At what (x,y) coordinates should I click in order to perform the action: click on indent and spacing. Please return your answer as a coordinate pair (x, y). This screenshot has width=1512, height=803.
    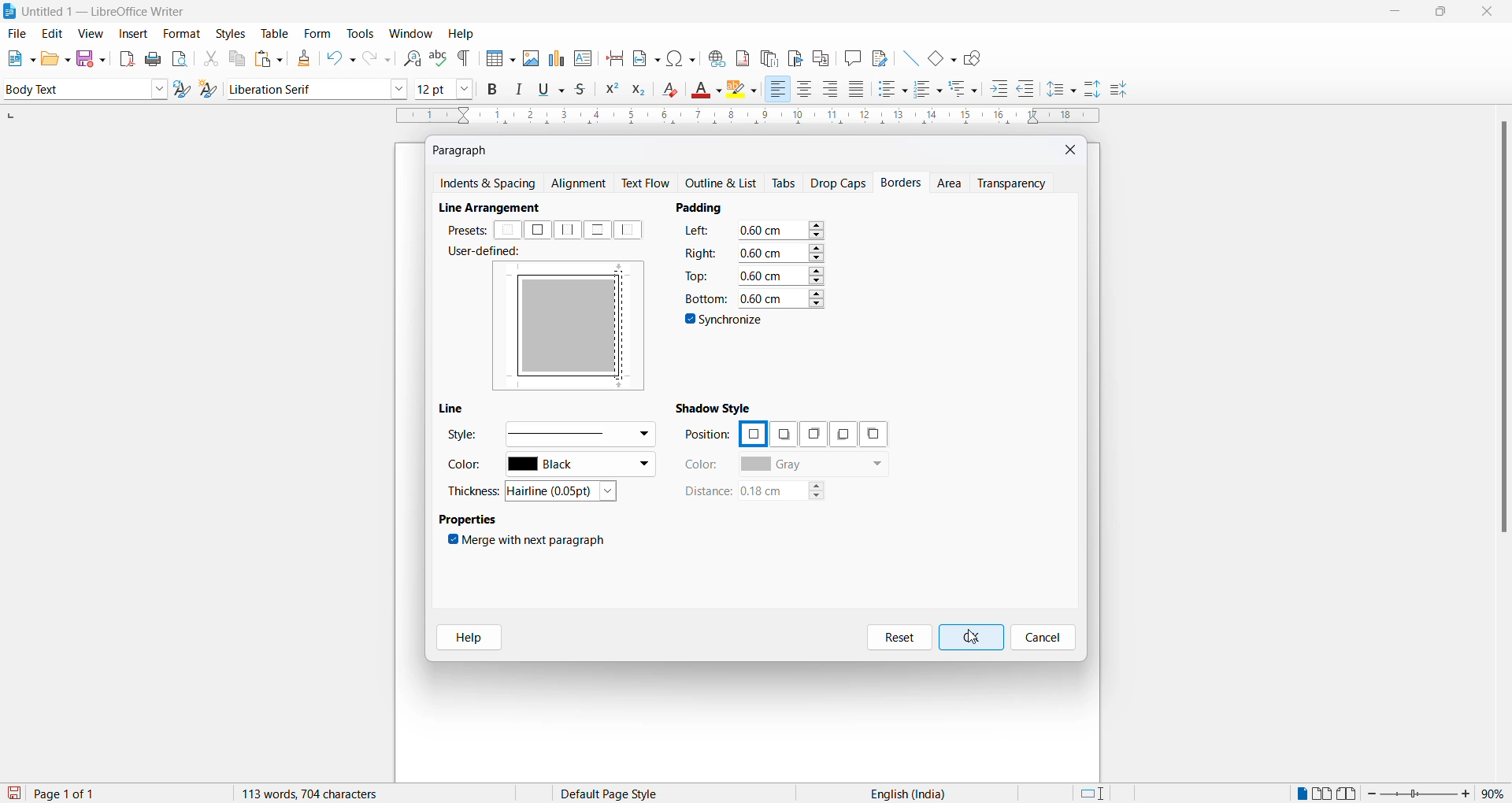
    Looking at the image, I should click on (489, 184).